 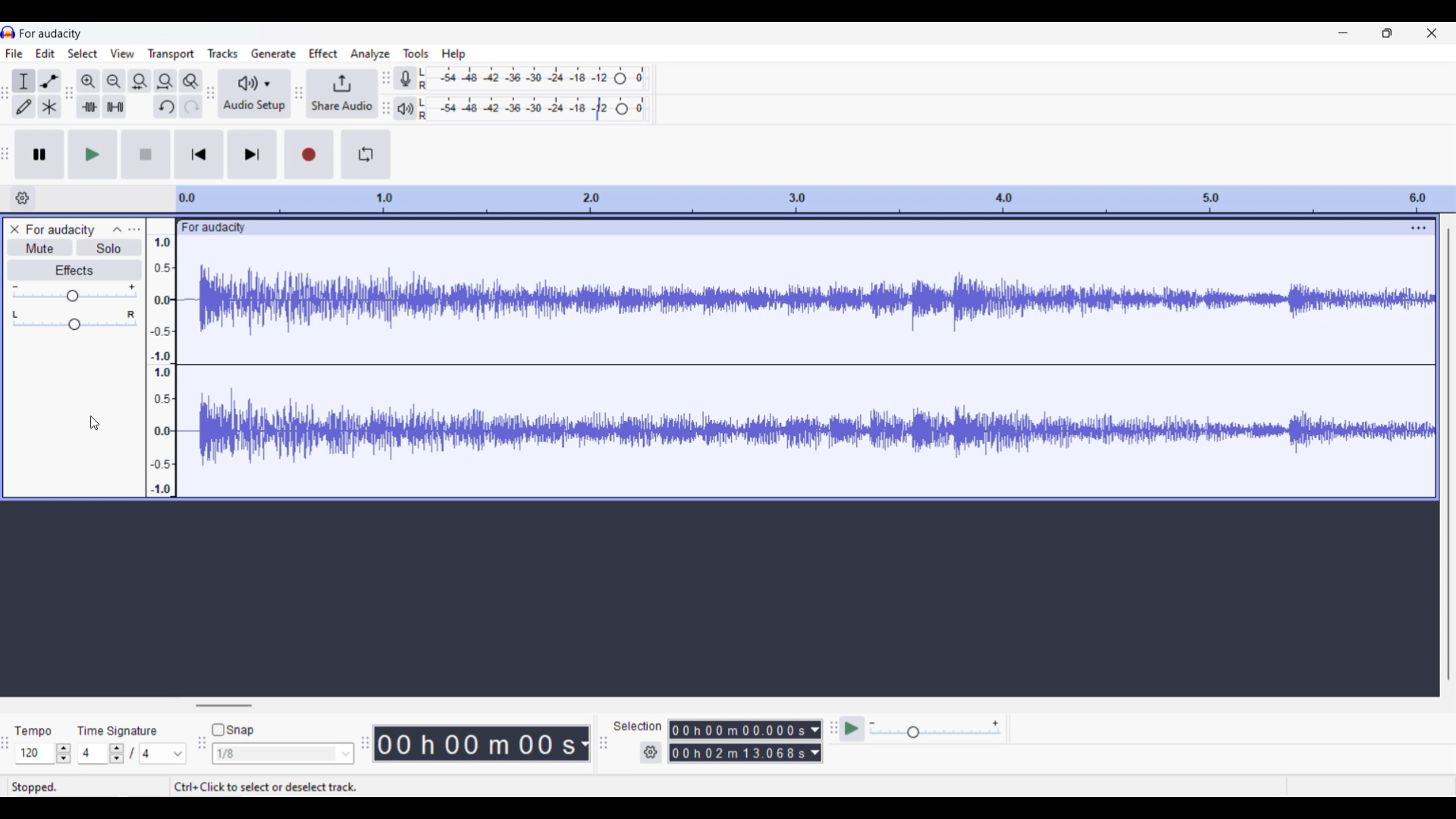 What do you see at coordinates (472, 743) in the screenshot?
I see `00 h 00 m 00 s` at bounding box center [472, 743].